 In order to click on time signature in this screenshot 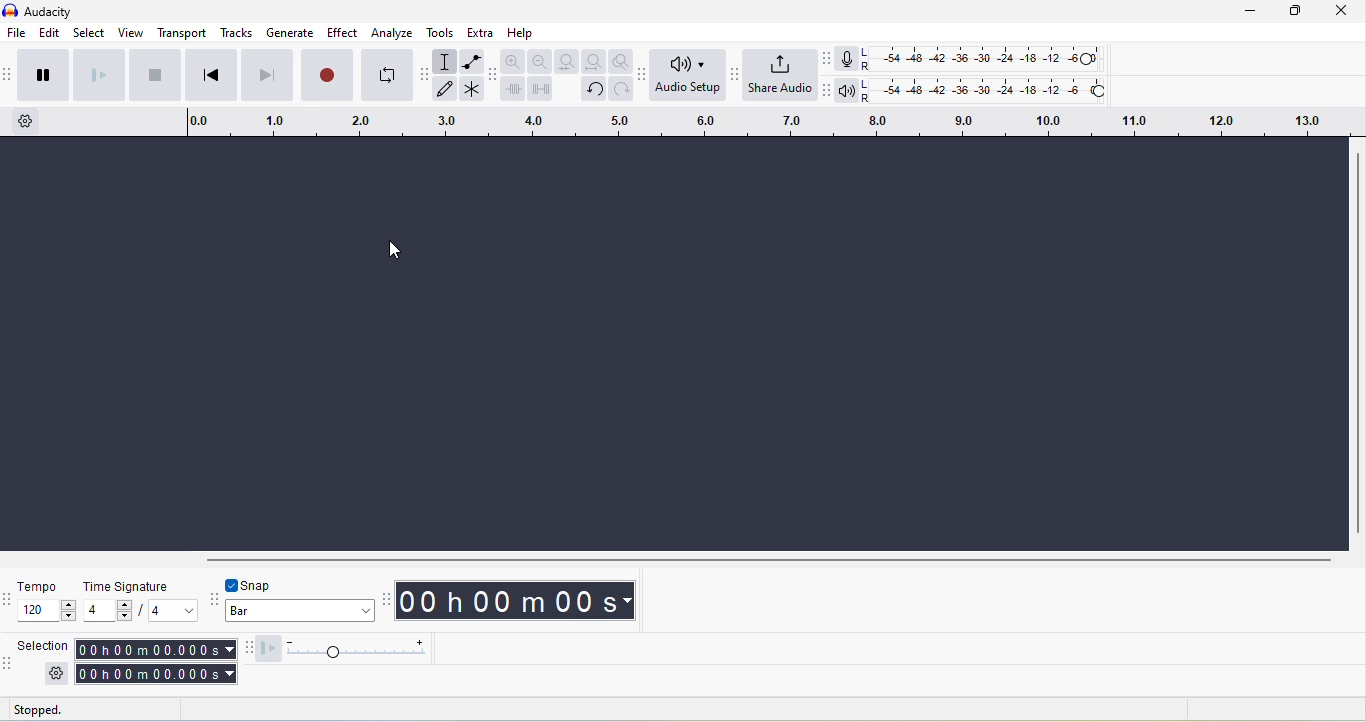, I will do `click(139, 600)`.